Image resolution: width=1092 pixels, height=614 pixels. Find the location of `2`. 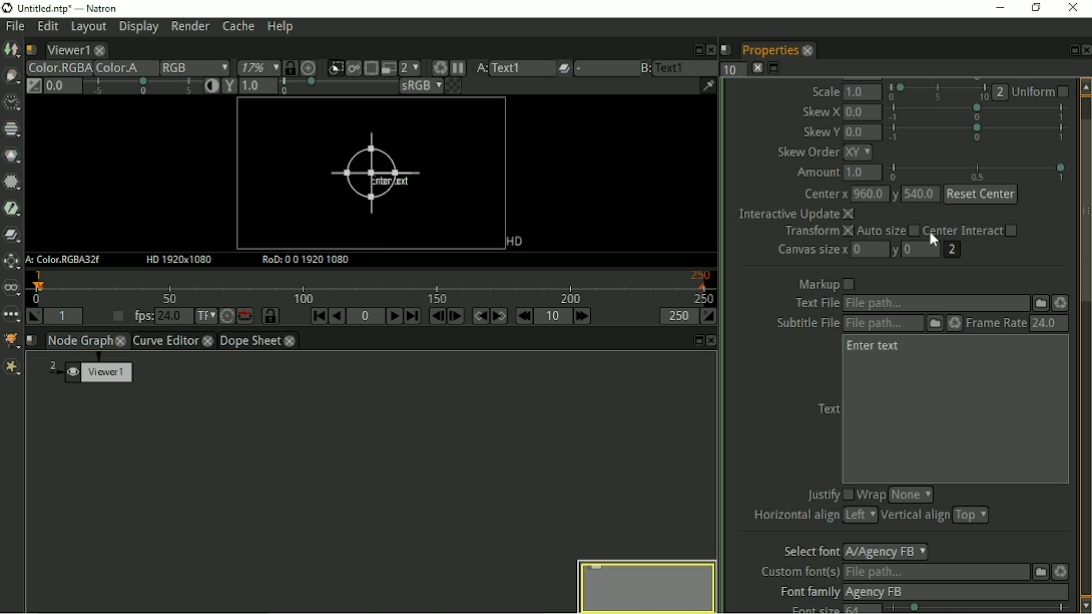

2 is located at coordinates (953, 250).